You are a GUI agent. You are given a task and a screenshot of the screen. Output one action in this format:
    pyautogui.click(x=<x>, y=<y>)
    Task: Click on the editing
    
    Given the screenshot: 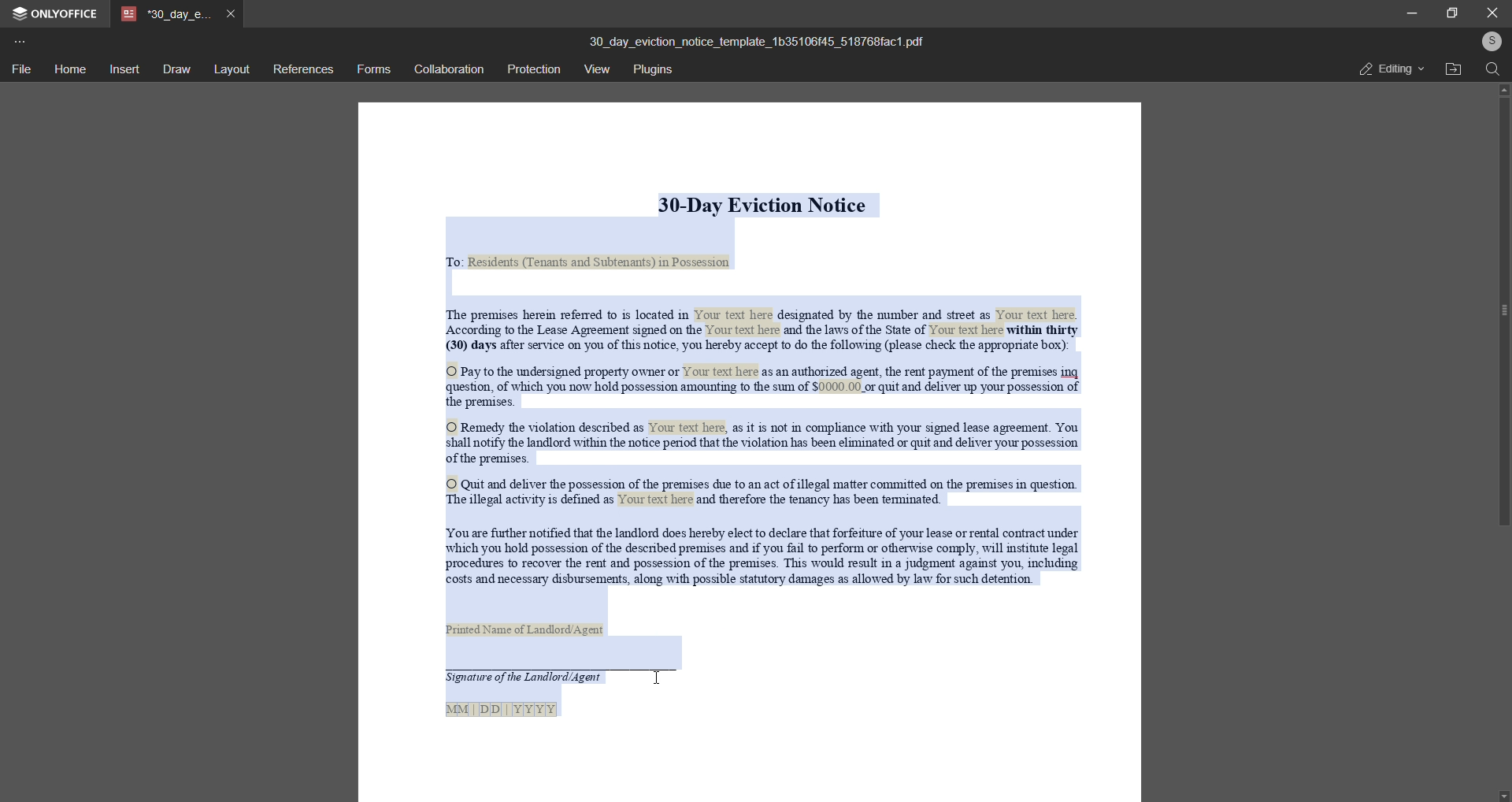 What is the action you would take?
    pyautogui.click(x=1385, y=69)
    